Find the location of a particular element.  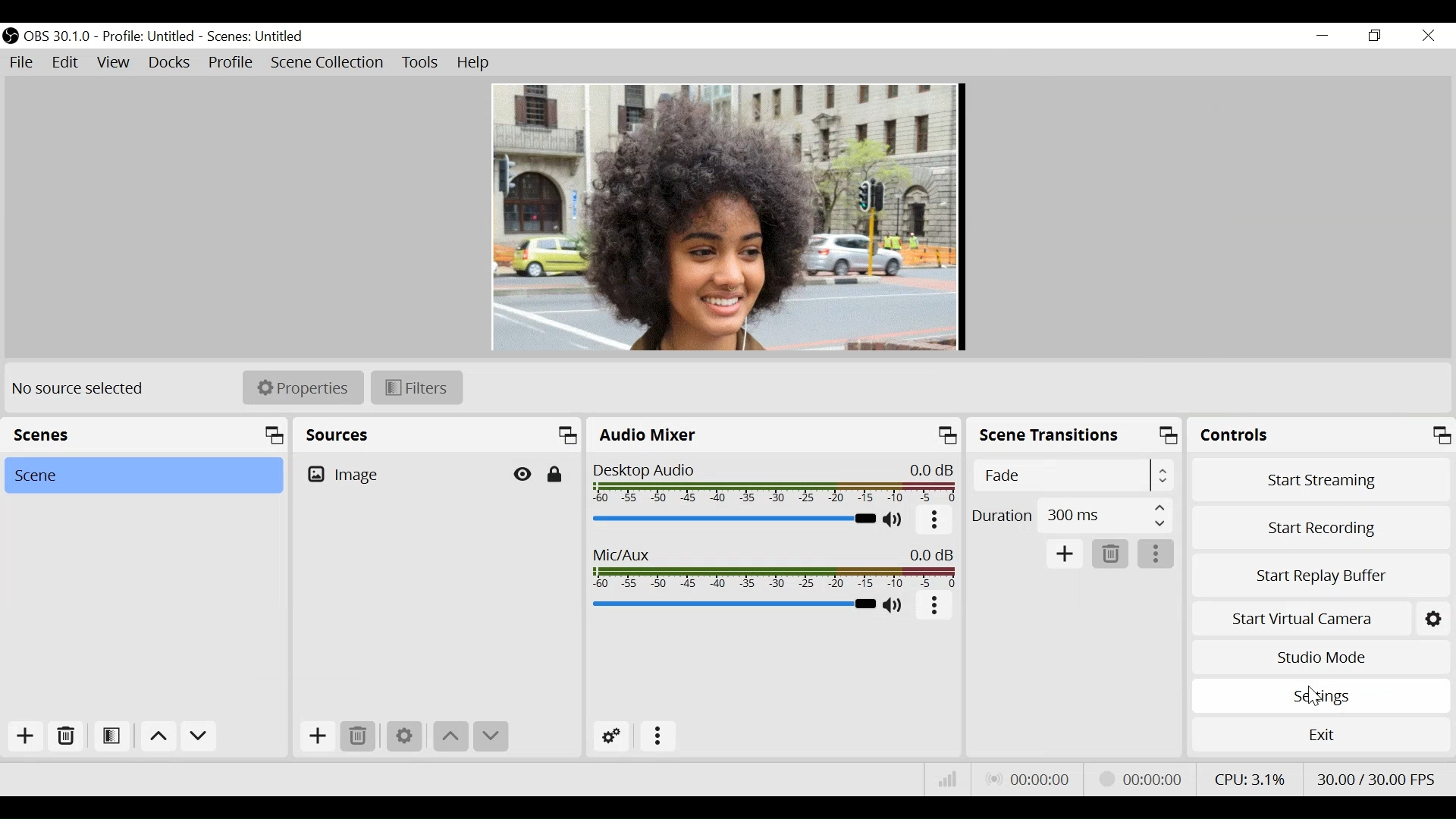

Live Status is located at coordinates (1032, 779).